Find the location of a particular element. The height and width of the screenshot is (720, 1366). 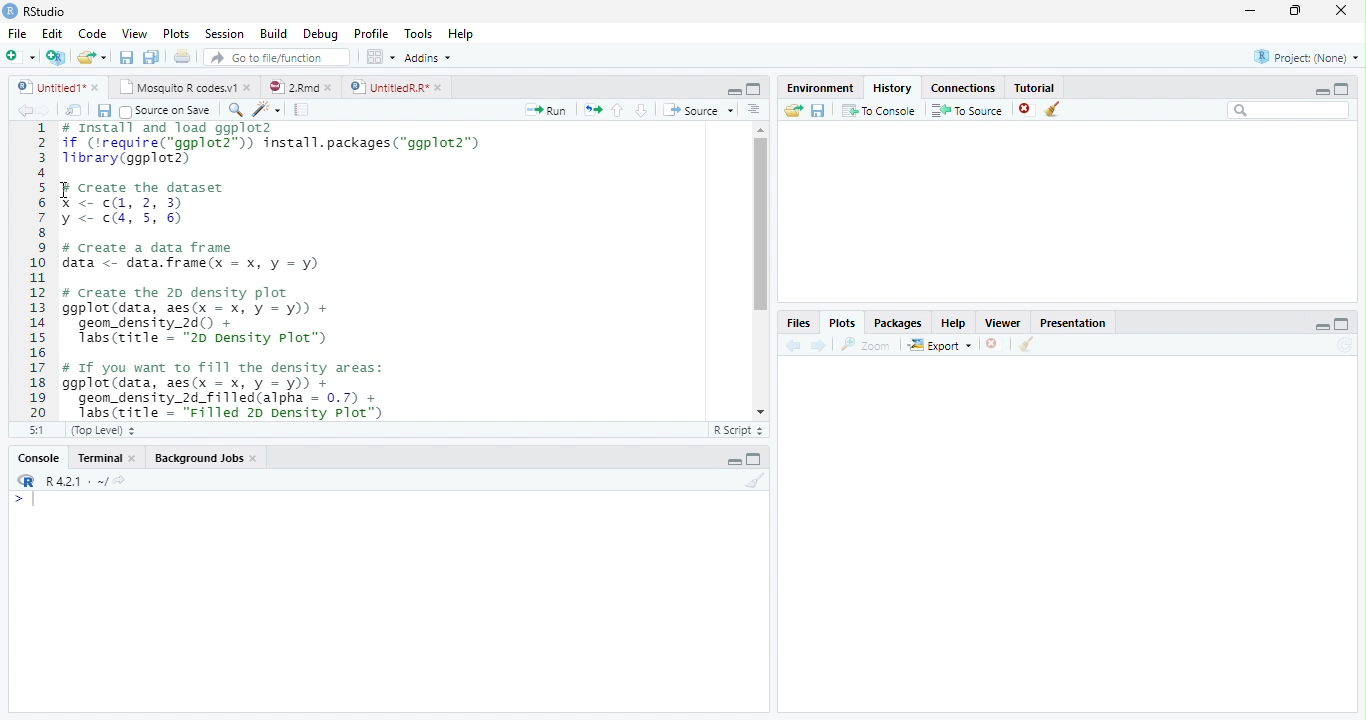

Background Jobs is located at coordinates (200, 459).